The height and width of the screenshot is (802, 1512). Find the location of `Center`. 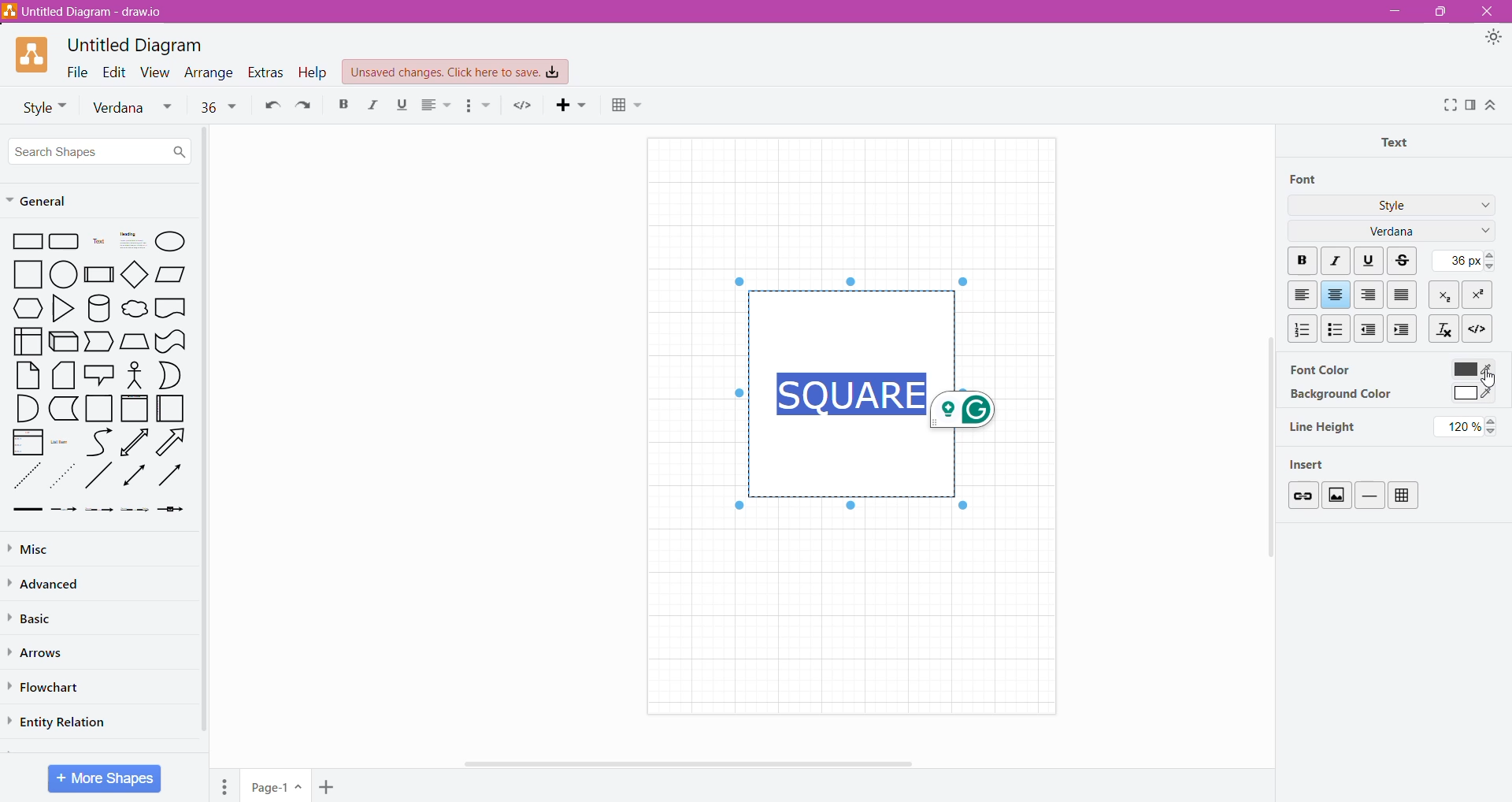

Center is located at coordinates (1336, 295).